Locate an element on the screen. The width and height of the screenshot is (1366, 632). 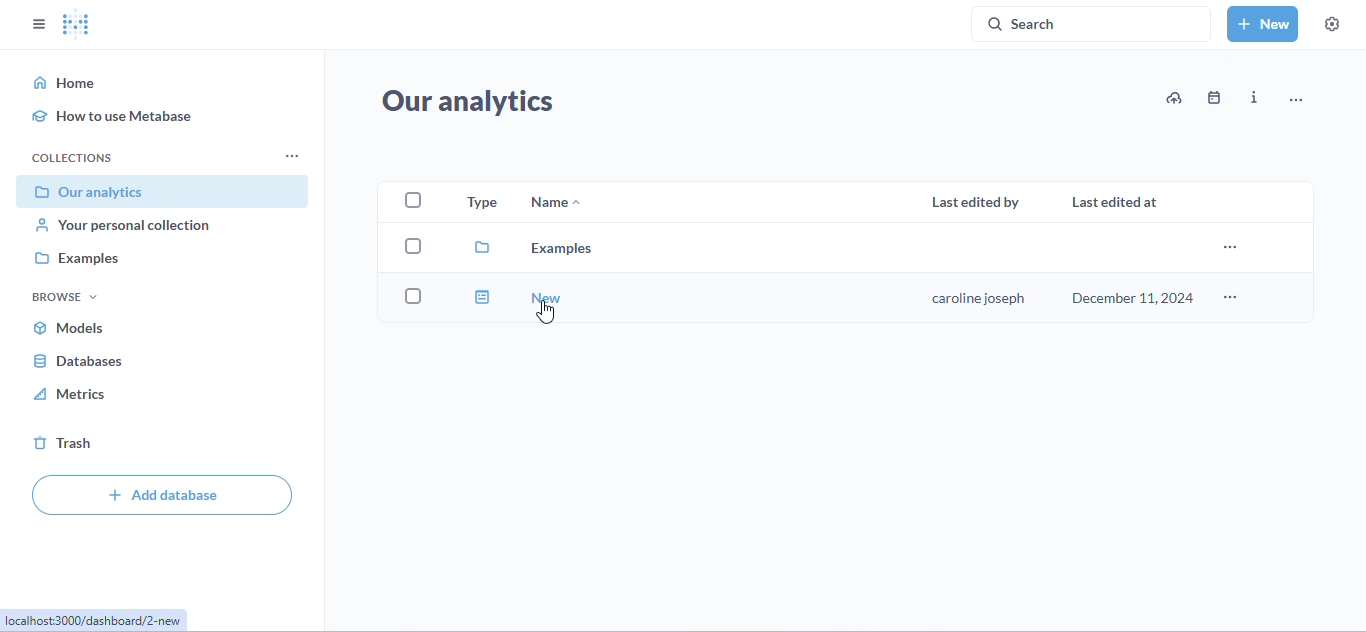
upload data to our analytics is located at coordinates (1174, 98).